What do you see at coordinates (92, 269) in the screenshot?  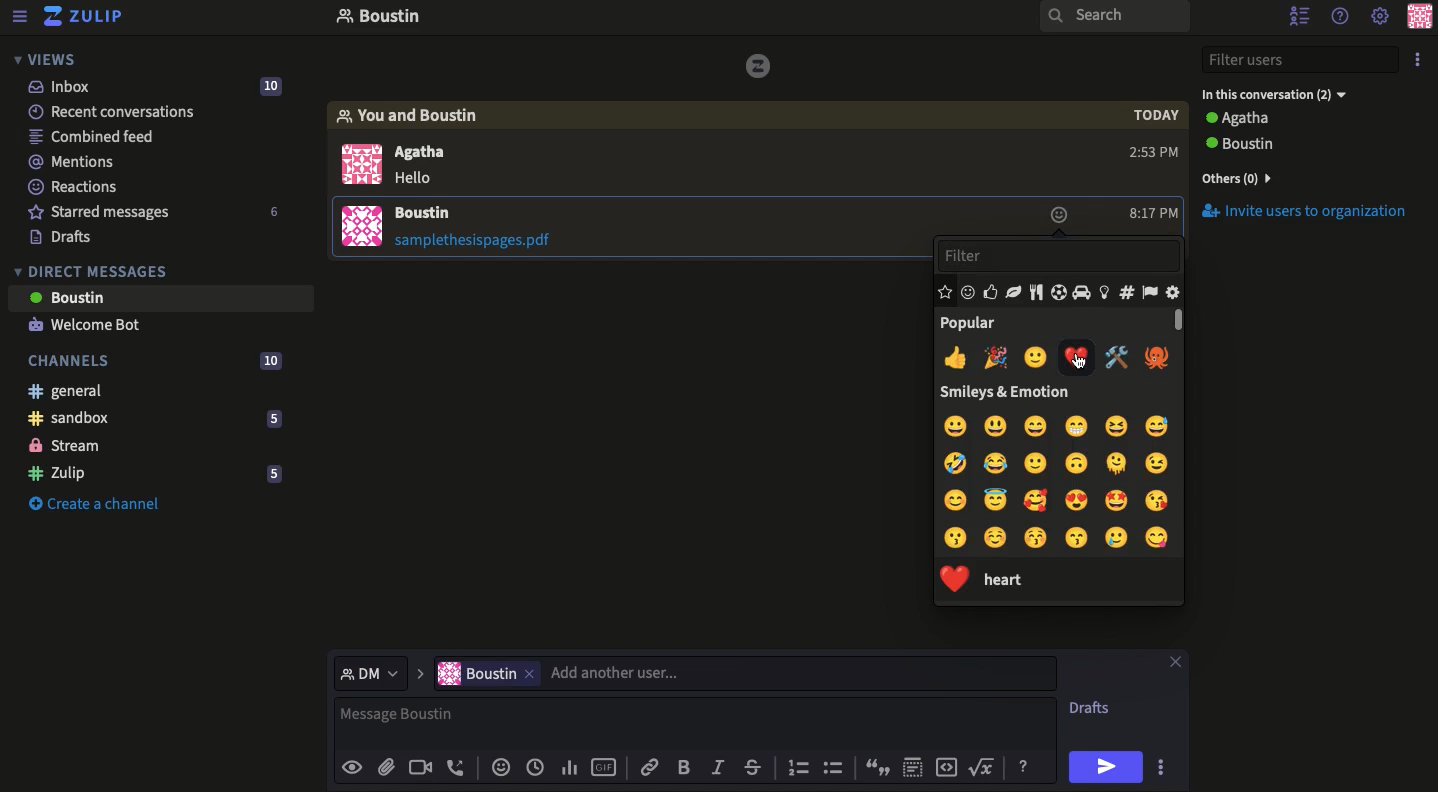 I see `DMs` at bounding box center [92, 269].